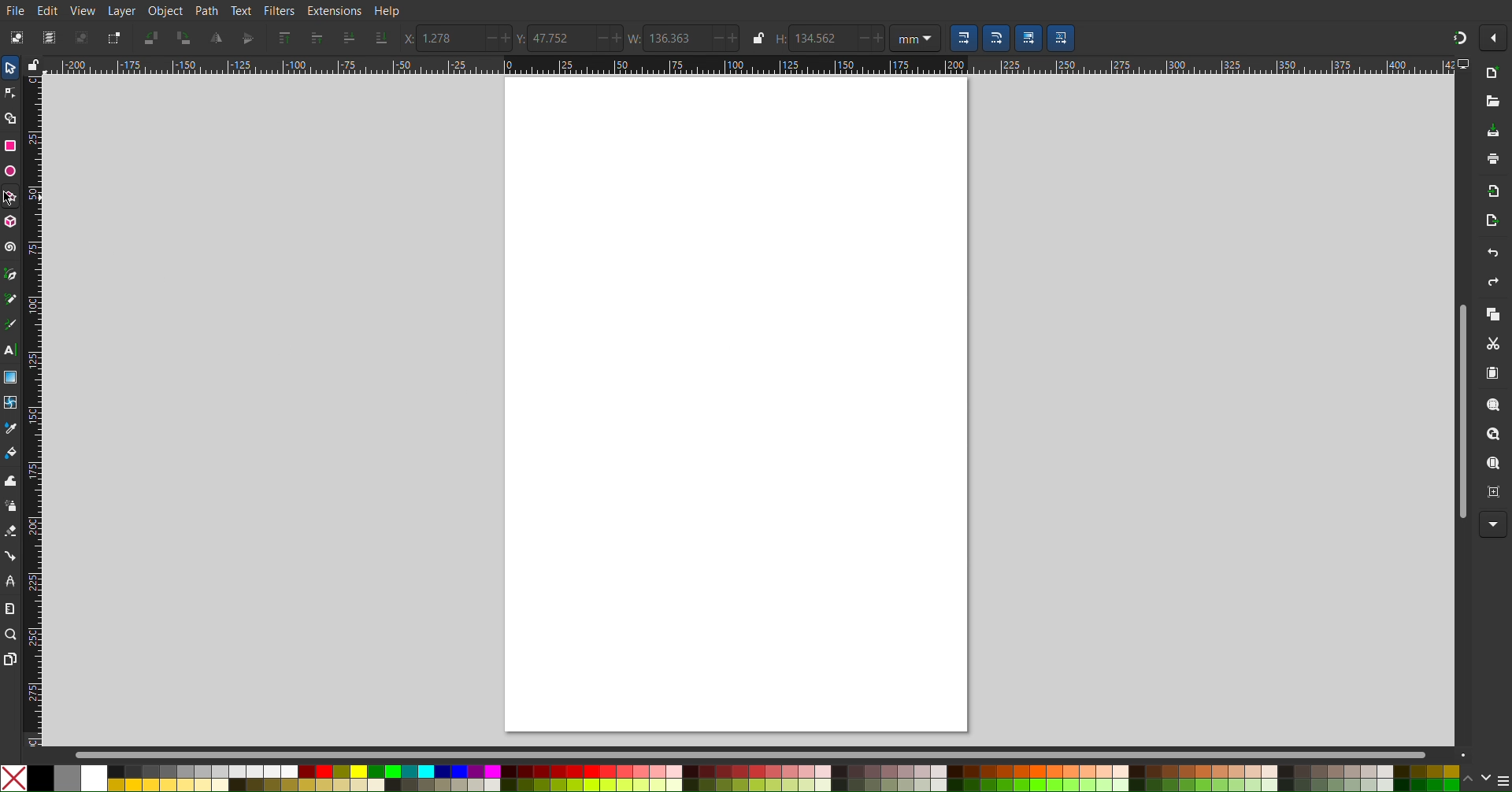  Describe the element at coordinates (121, 11) in the screenshot. I see `Layer` at that location.